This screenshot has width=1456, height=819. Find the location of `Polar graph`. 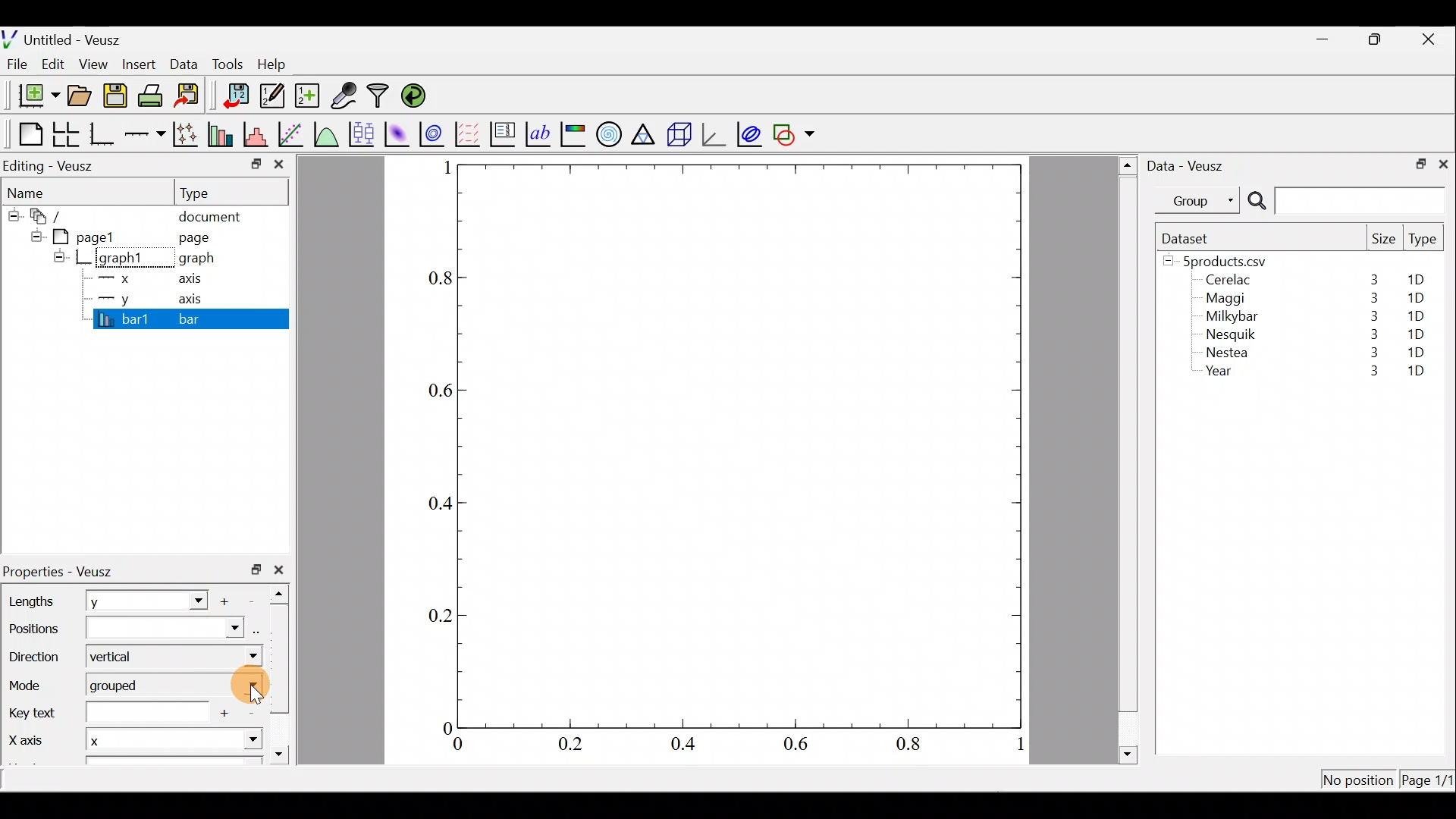

Polar graph is located at coordinates (606, 132).